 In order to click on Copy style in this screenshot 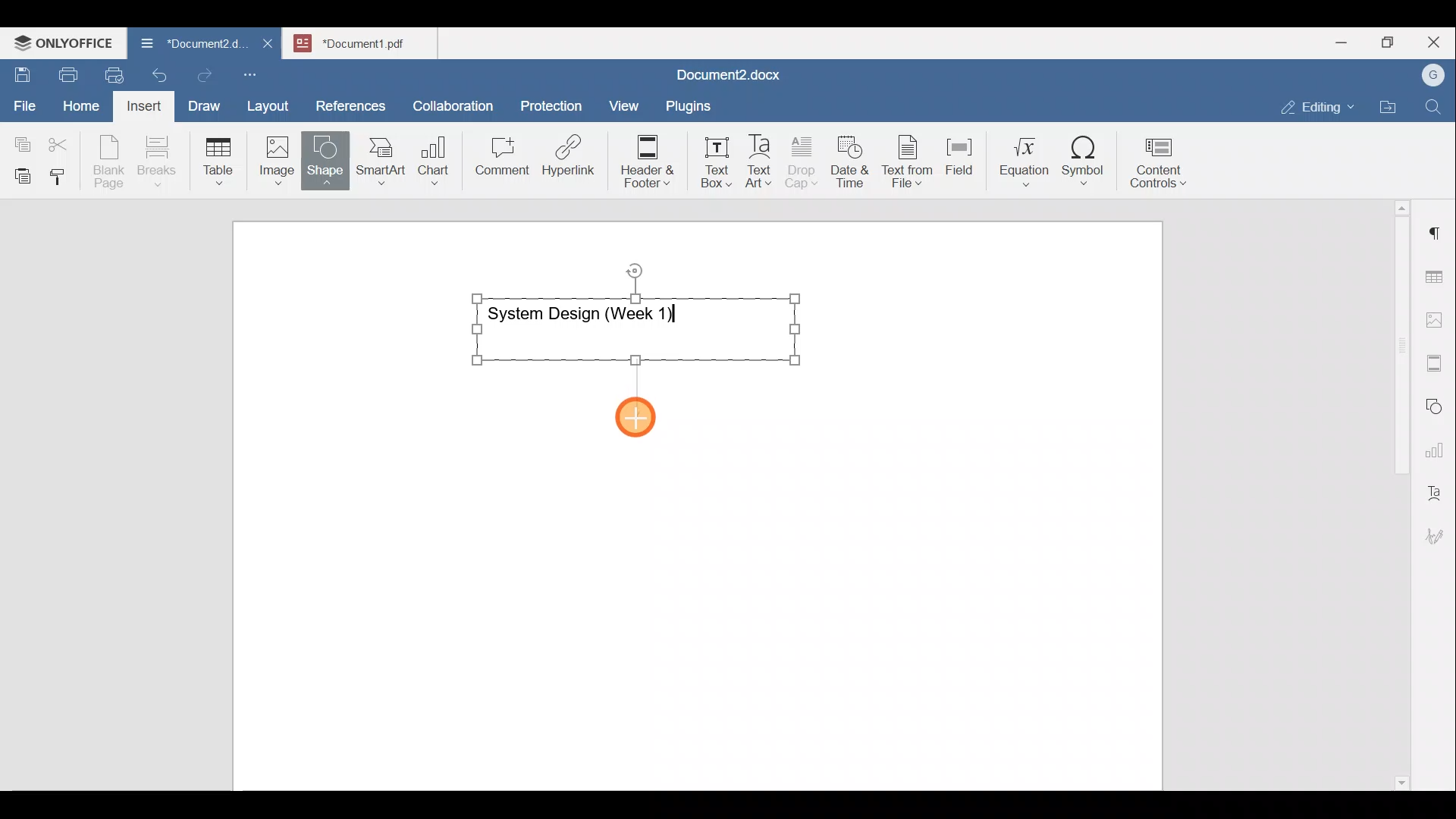, I will do `click(63, 173)`.